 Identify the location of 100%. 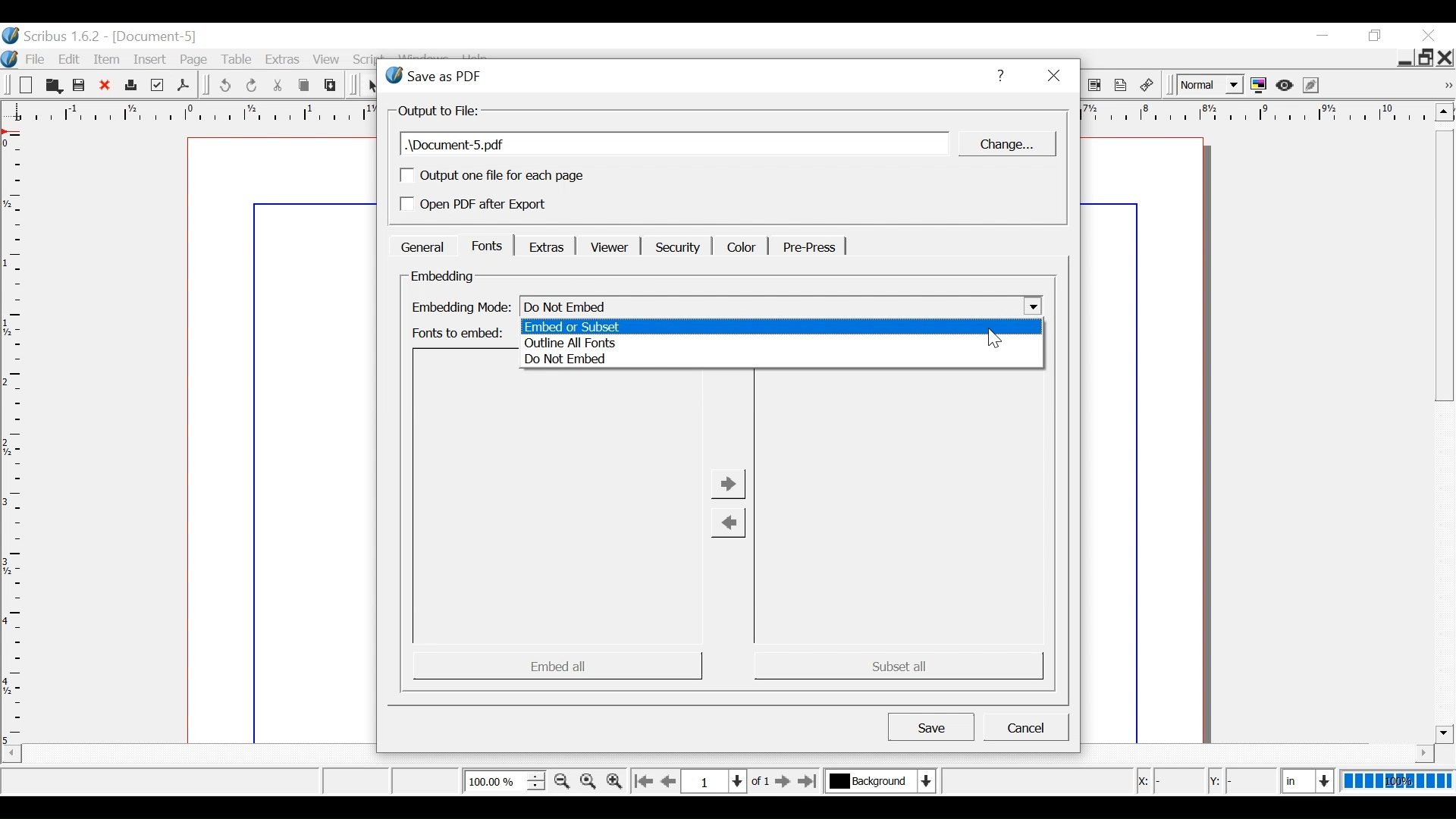
(1398, 780).